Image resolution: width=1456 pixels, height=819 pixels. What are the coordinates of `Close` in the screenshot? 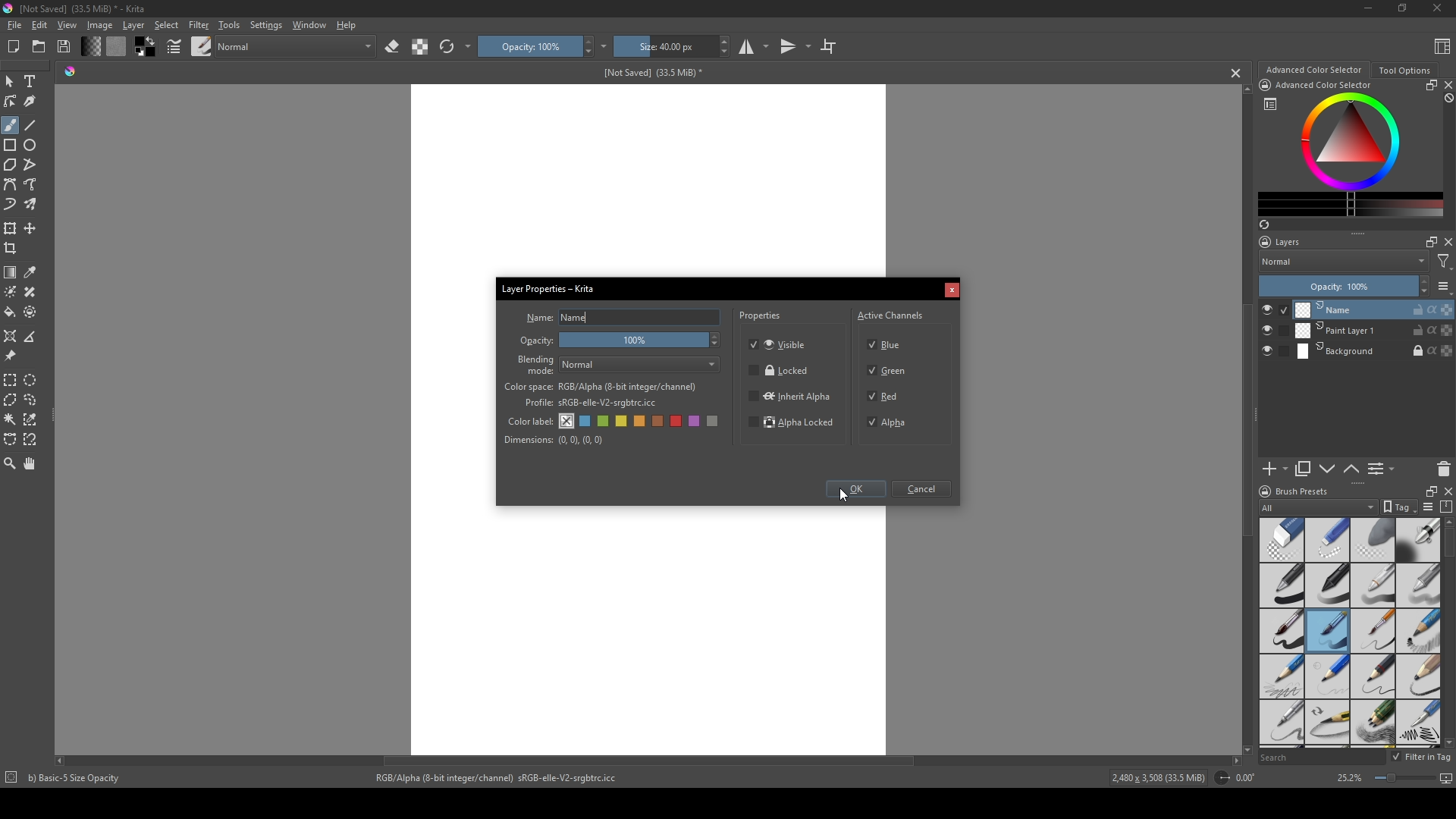 It's located at (1434, 9).